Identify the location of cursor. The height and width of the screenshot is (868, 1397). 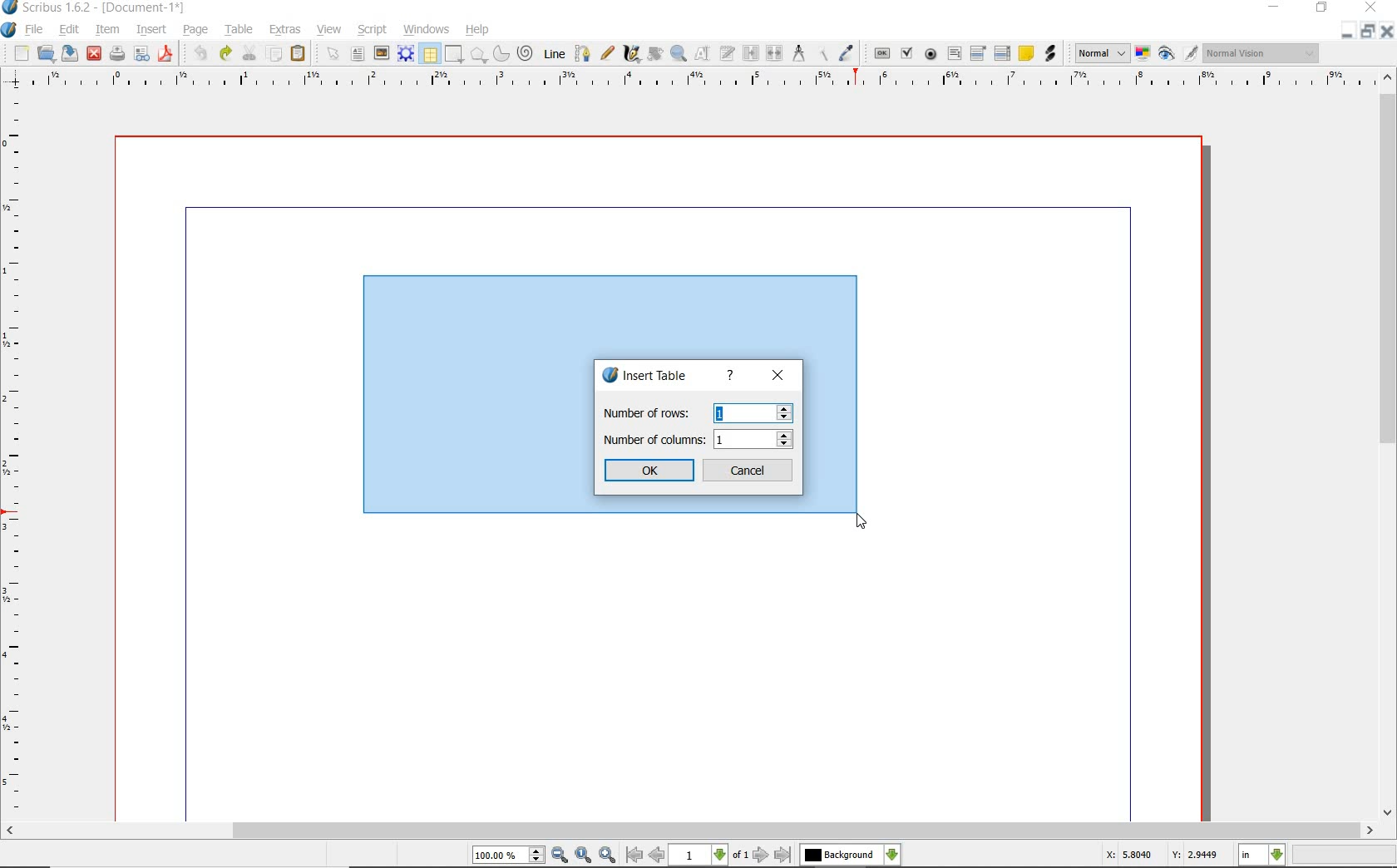
(861, 522).